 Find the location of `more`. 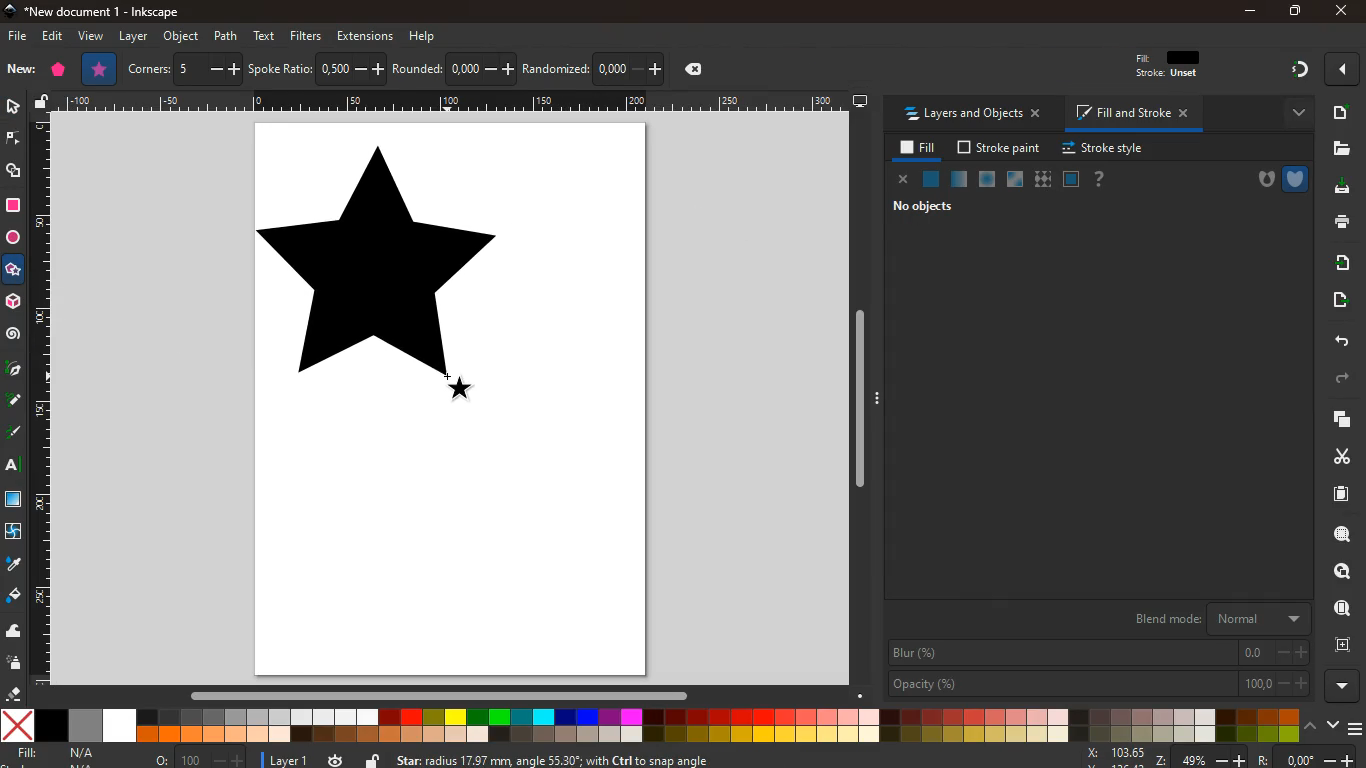

more is located at coordinates (1338, 687).